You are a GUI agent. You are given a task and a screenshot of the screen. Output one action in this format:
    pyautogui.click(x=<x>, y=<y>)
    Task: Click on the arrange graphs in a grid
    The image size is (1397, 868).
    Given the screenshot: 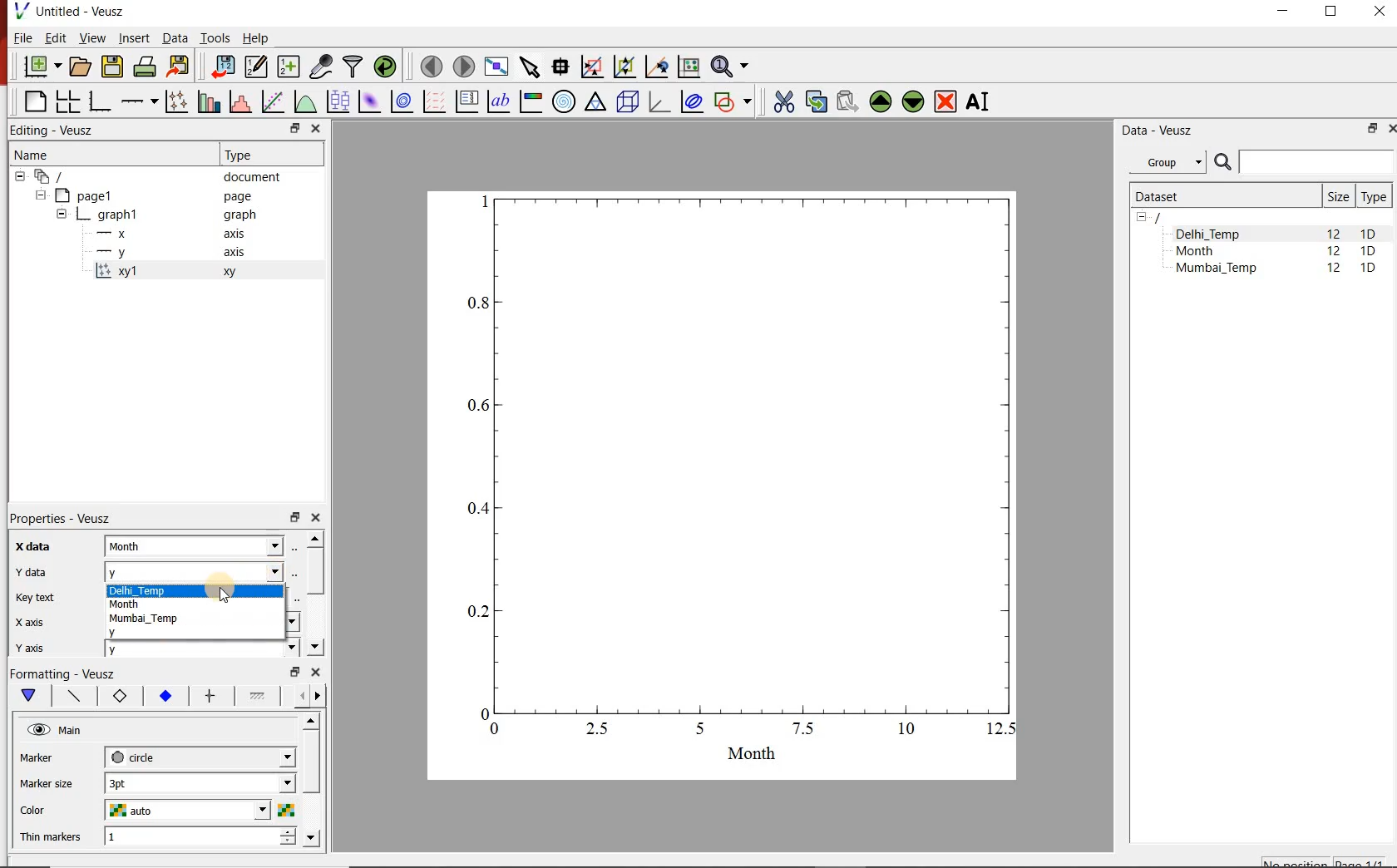 What is the action you would take?
    pyautogui.click(x=67, y=101)
    